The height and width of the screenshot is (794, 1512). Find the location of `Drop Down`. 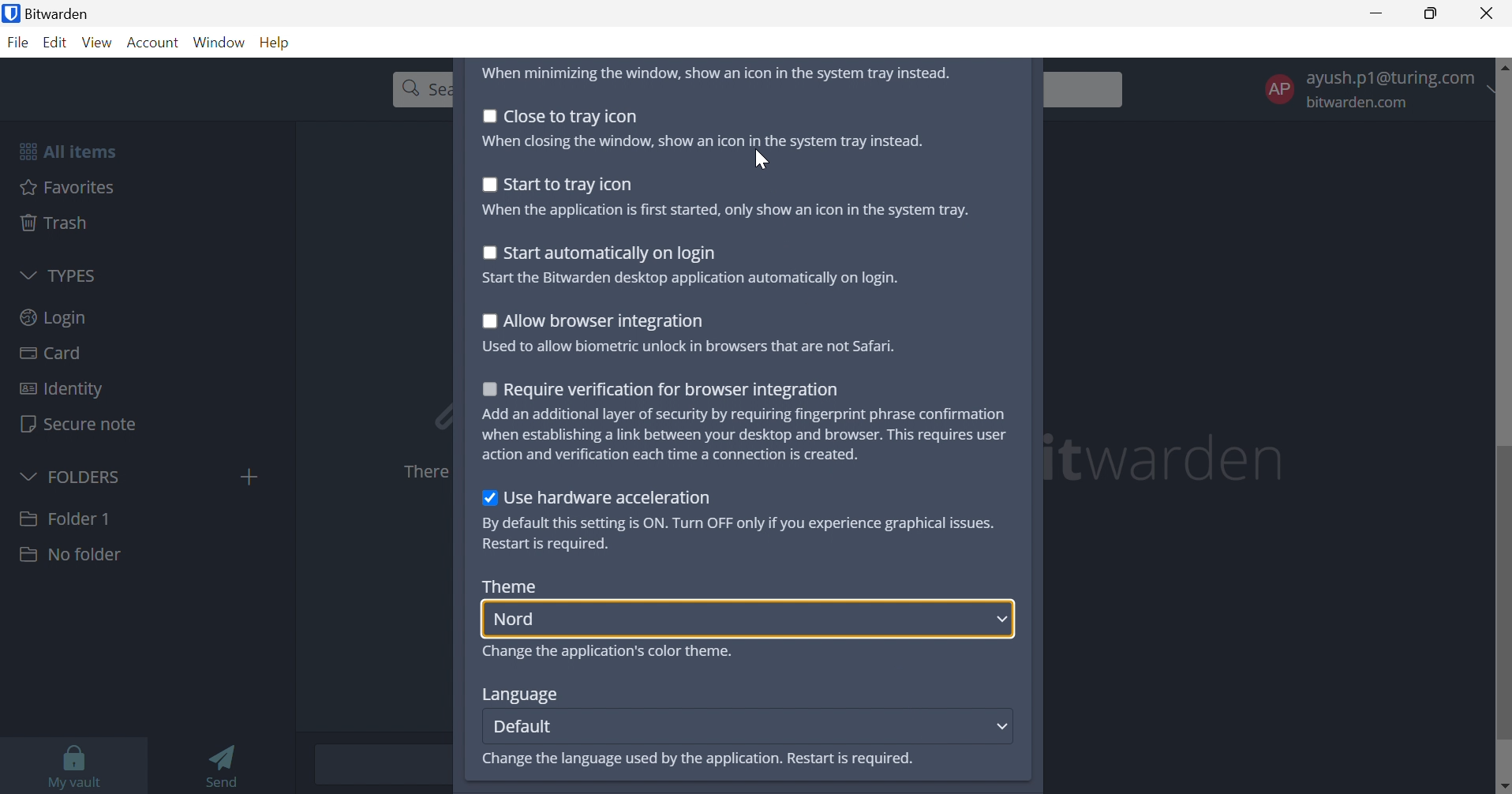

Drop Down is located at coordinates (28, 273).